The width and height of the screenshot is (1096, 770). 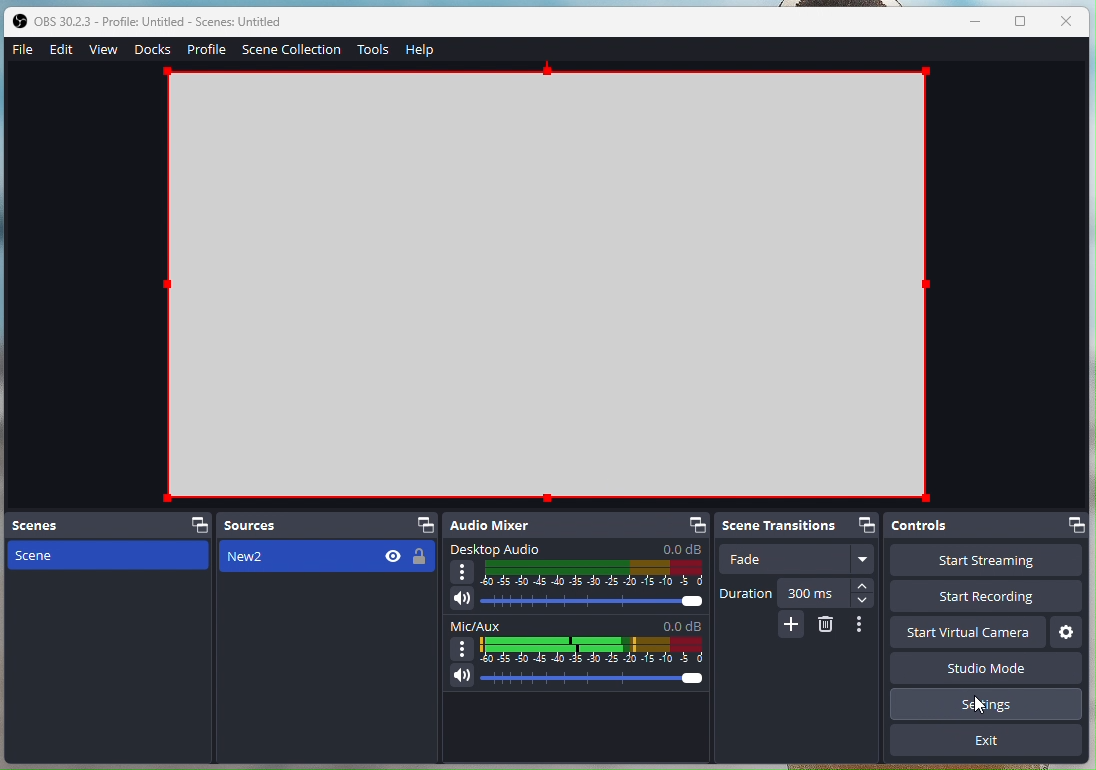 I want to click on Start recording, so click(x=984, y=597).